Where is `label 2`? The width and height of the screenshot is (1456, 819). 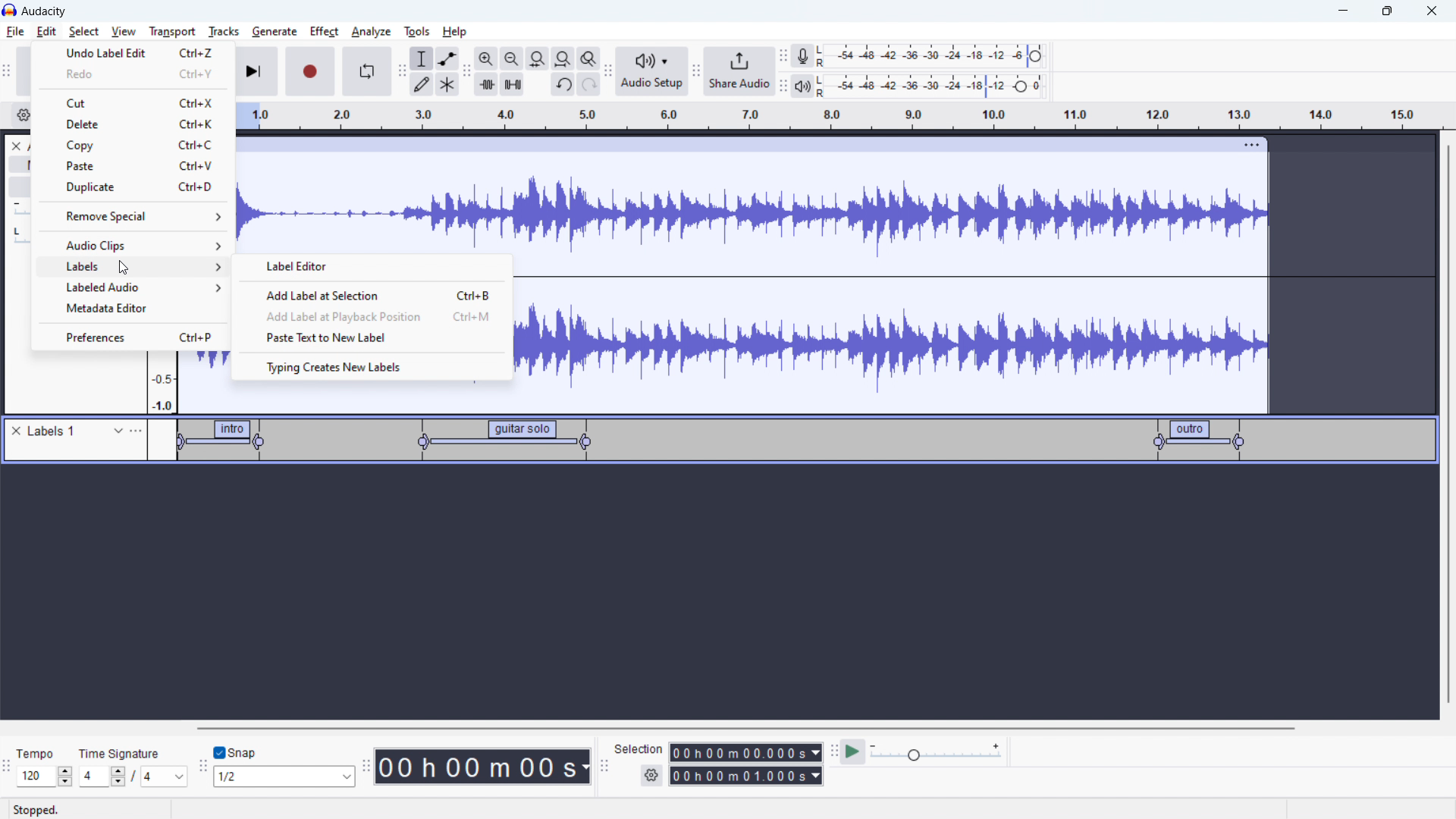 label 2 is located at coordinates (497, 441).